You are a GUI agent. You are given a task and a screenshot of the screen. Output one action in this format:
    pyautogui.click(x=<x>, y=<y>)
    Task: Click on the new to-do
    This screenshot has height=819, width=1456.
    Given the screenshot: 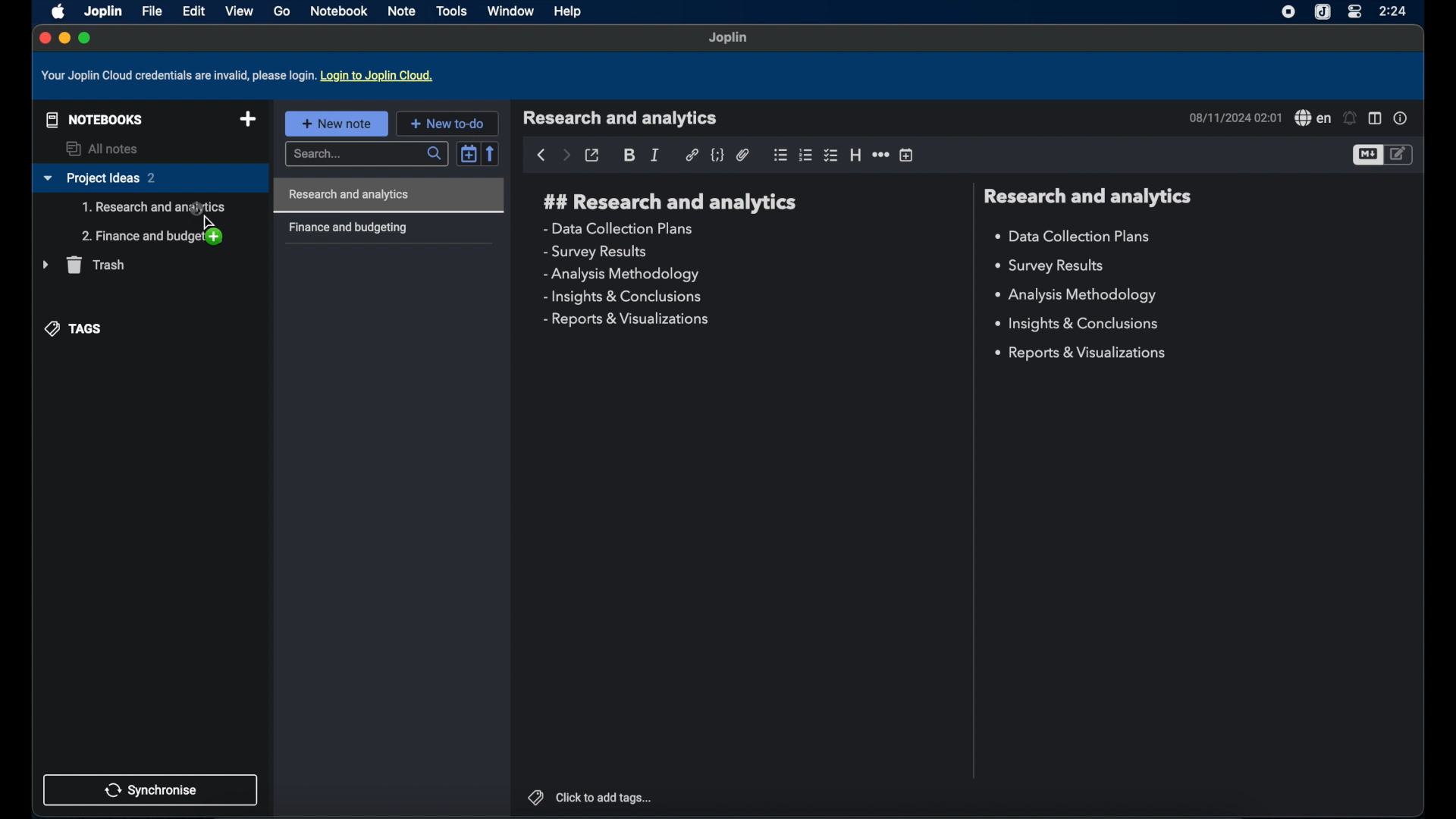 What is the action you would take?
    pyautogui.click(x=447, y=123)
    